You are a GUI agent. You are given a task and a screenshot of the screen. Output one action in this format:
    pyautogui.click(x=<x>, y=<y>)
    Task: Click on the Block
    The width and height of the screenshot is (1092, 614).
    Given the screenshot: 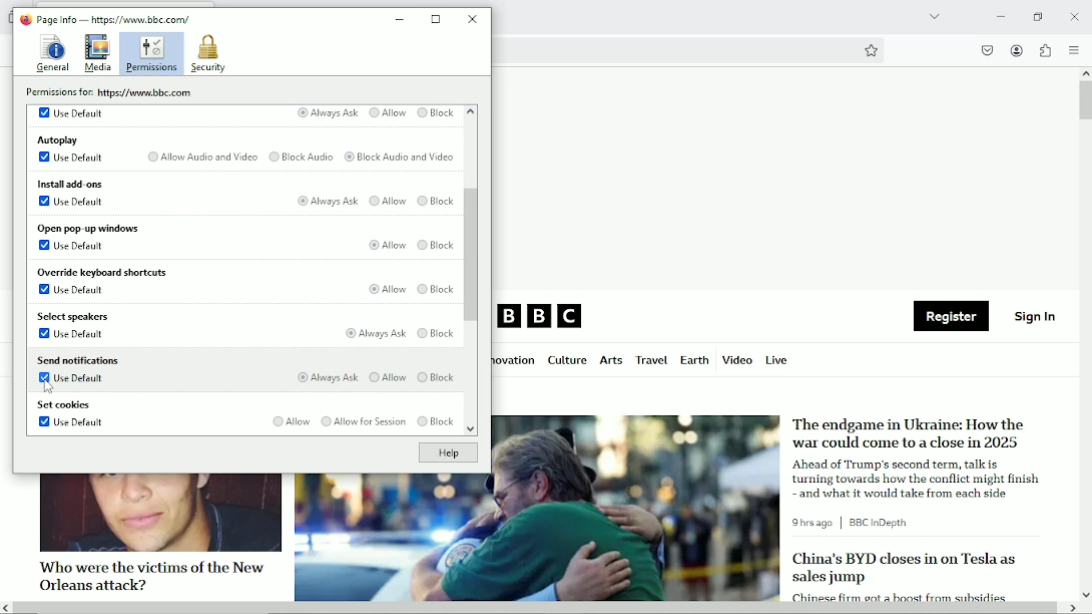 What is the action you would take?
    pyautogui.click(x=435, y=203)
    